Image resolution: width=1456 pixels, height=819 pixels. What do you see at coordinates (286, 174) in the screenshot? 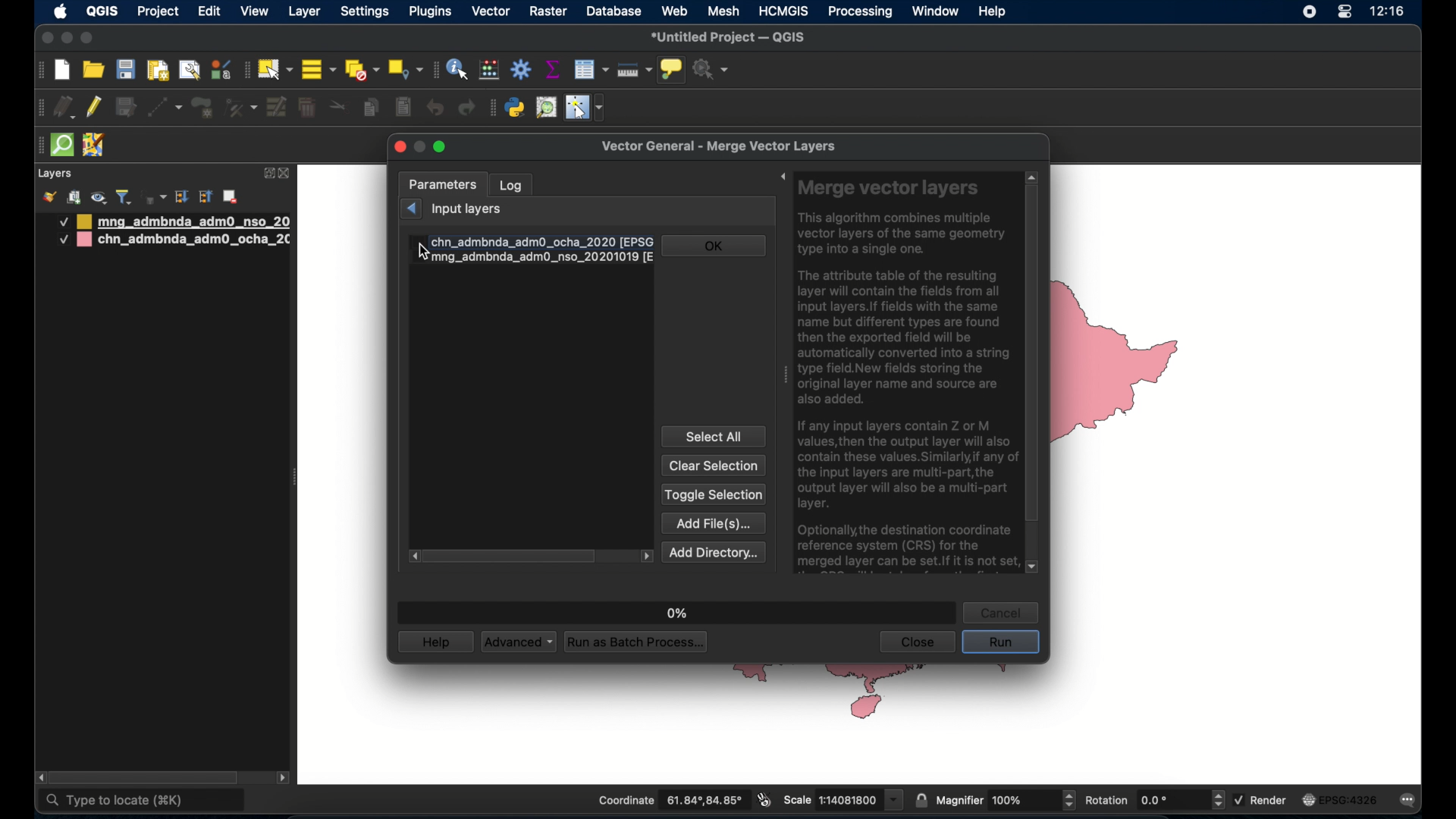
I see `close` at bounding box center [286, 174].